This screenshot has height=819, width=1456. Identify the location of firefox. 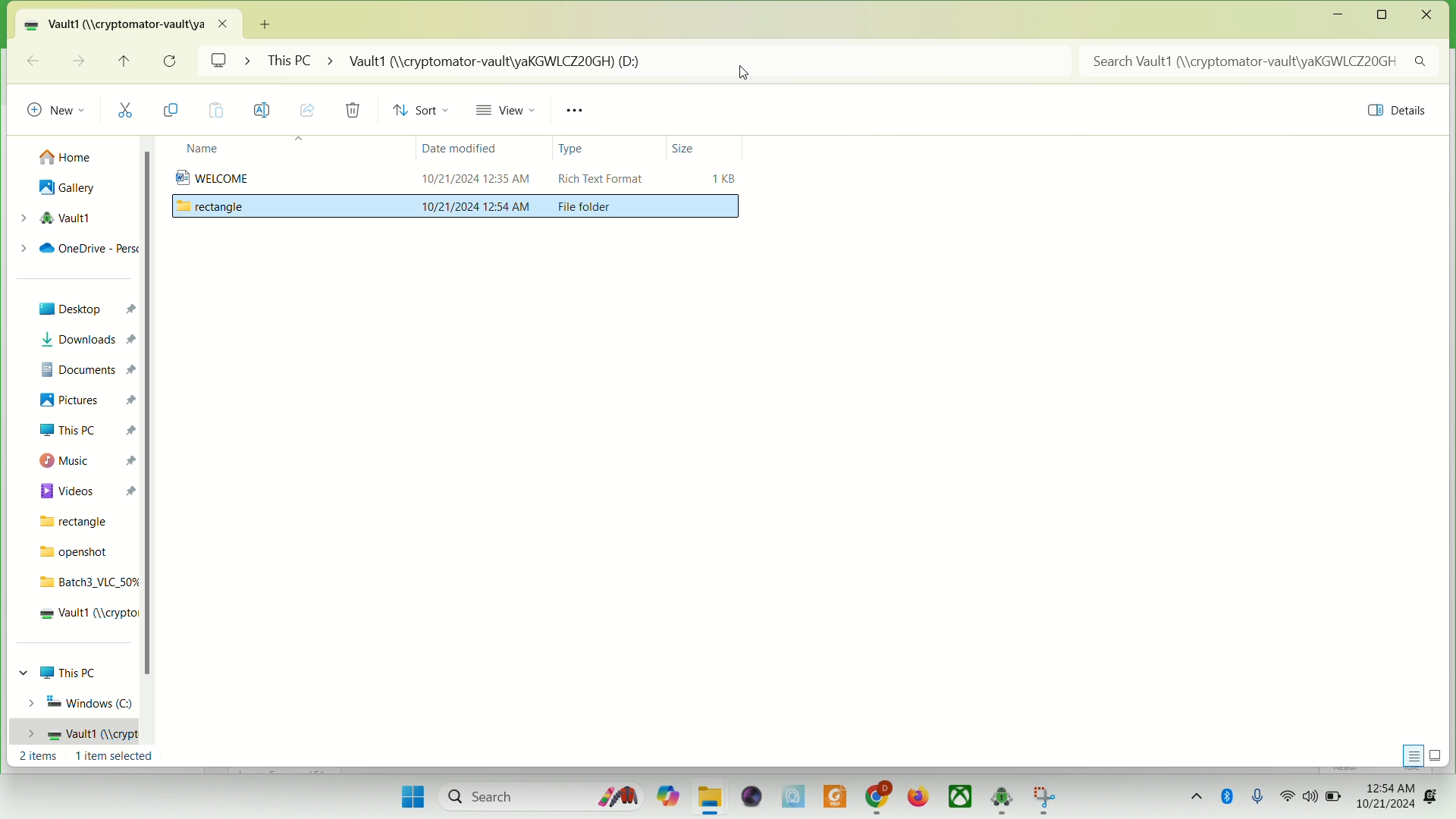
(918, 796).